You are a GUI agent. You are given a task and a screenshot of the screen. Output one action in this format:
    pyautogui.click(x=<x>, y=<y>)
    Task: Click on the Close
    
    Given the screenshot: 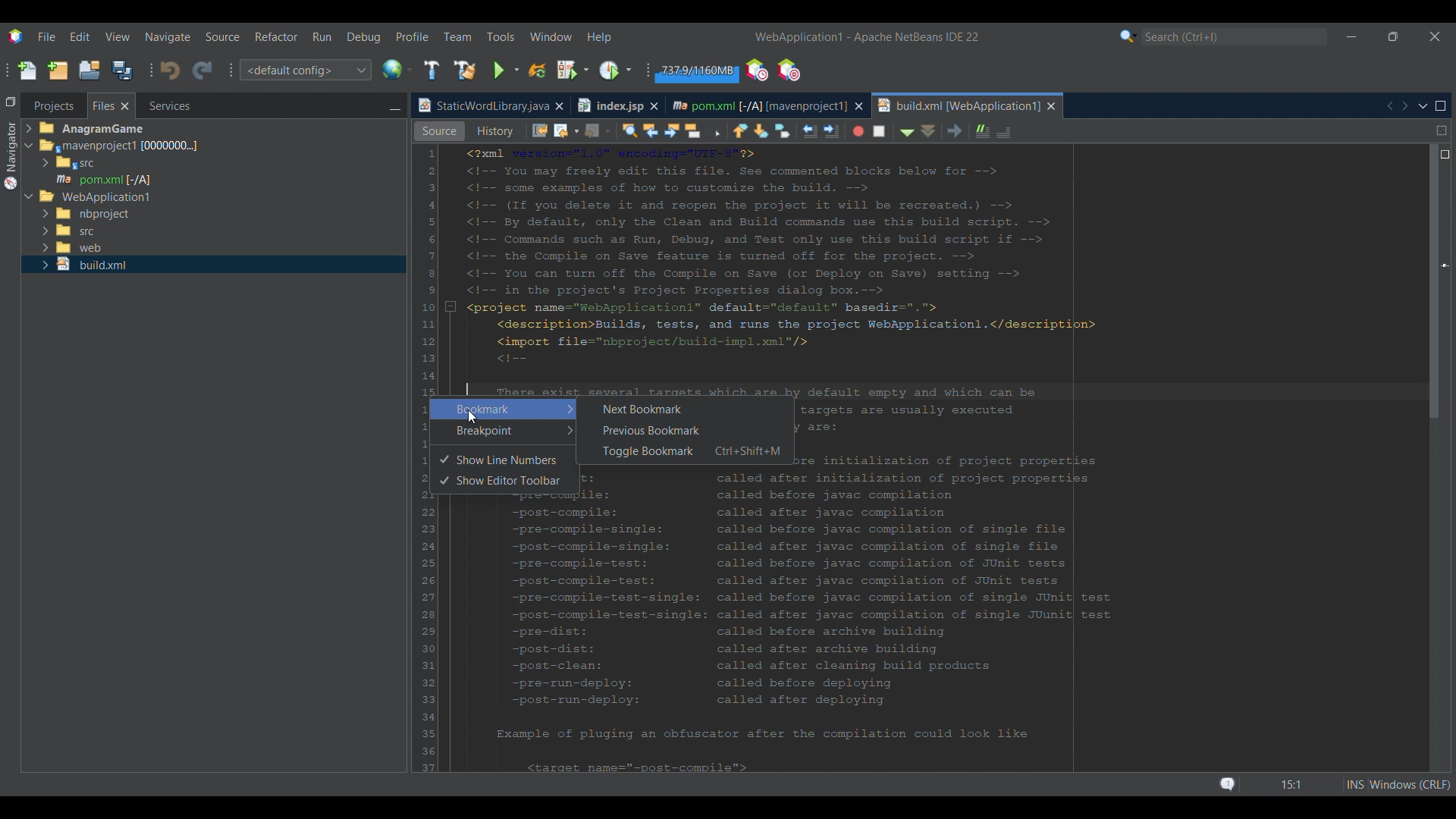 What is the action you would take?
    pyautogui.click(x=1052, y=106)
    